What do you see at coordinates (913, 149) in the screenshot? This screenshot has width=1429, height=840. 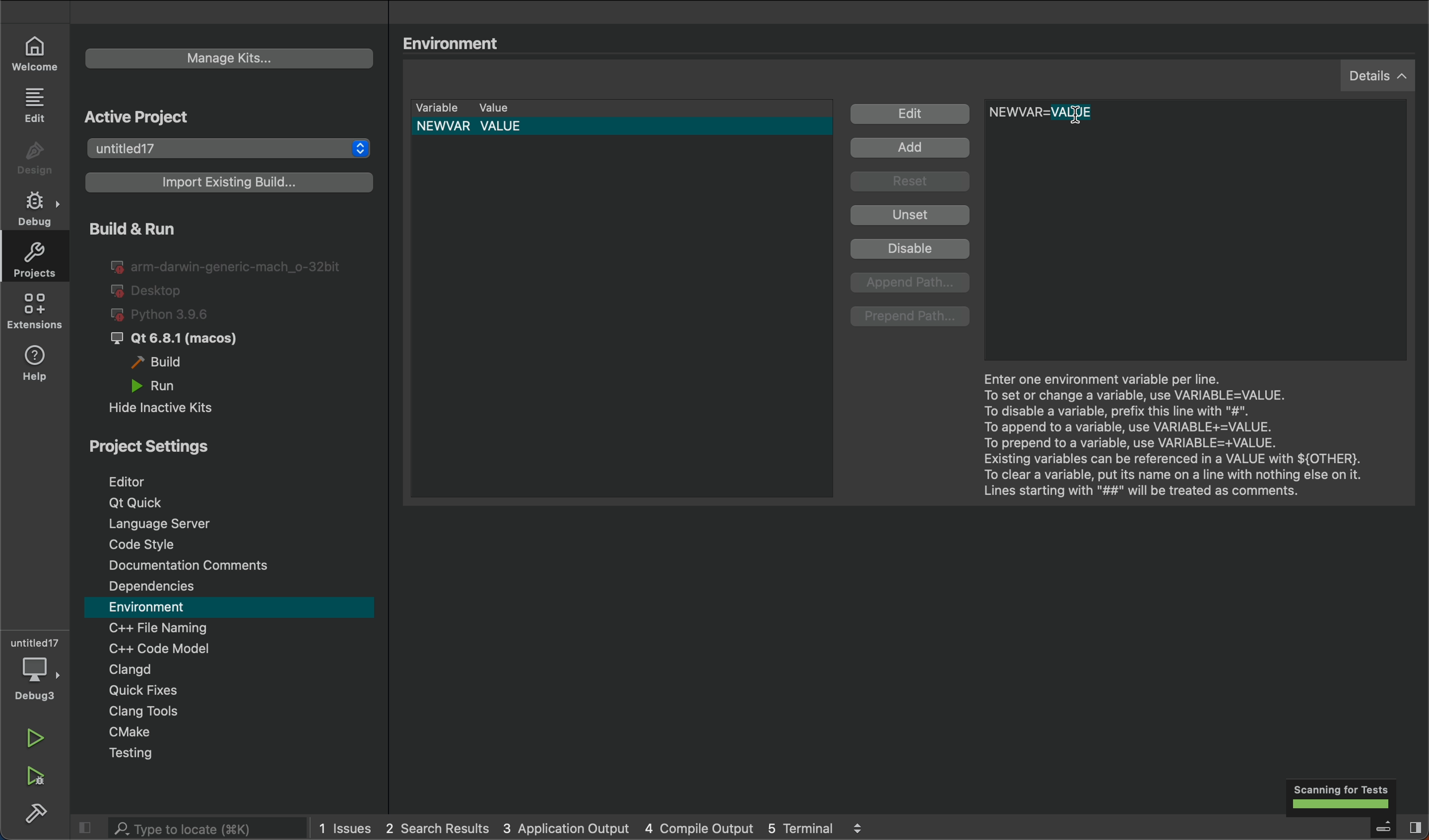 I see `Add` at bounding box center [913, 149].